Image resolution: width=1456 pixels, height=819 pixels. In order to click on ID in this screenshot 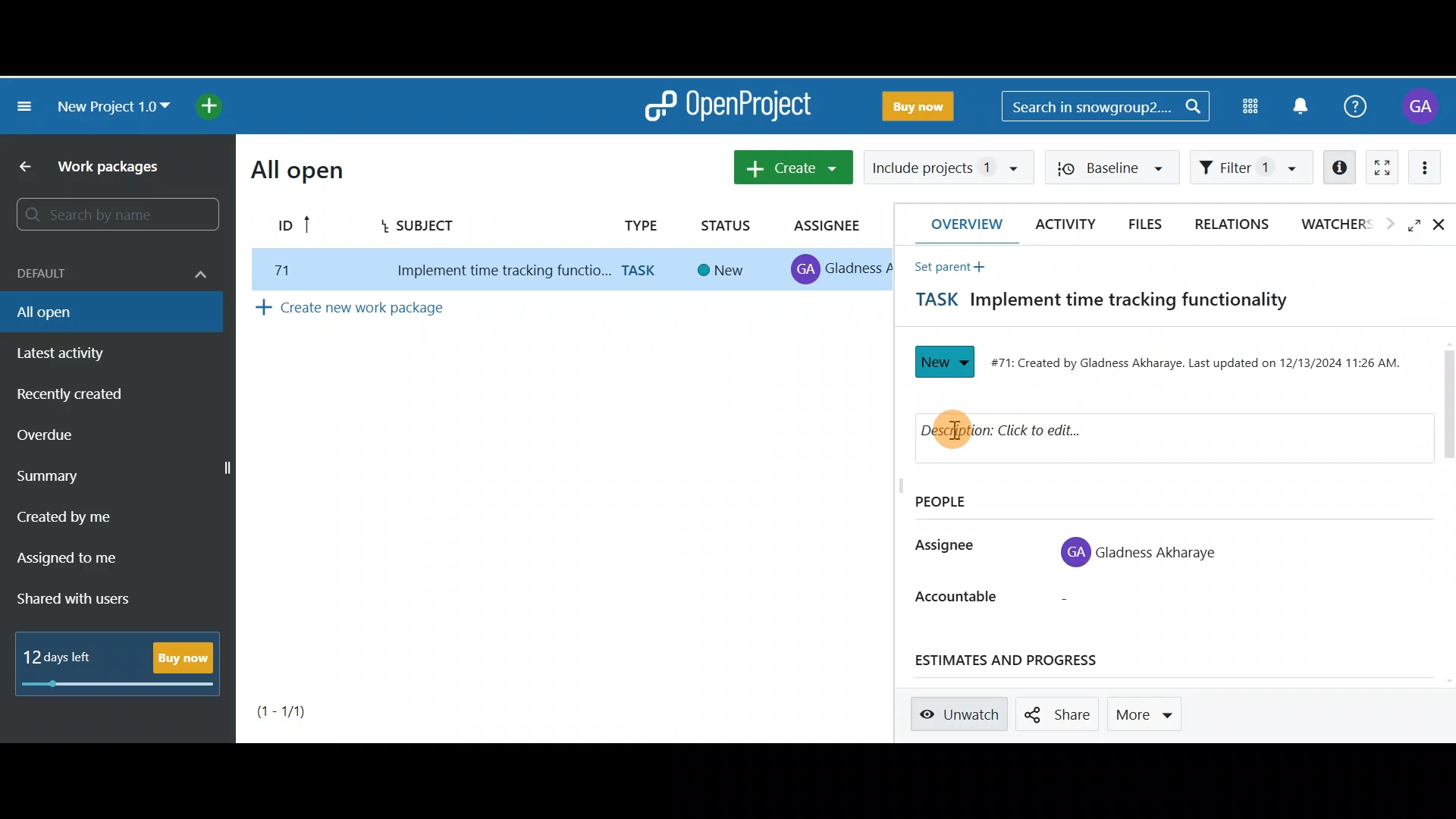, I will do `click(290, 227)`.